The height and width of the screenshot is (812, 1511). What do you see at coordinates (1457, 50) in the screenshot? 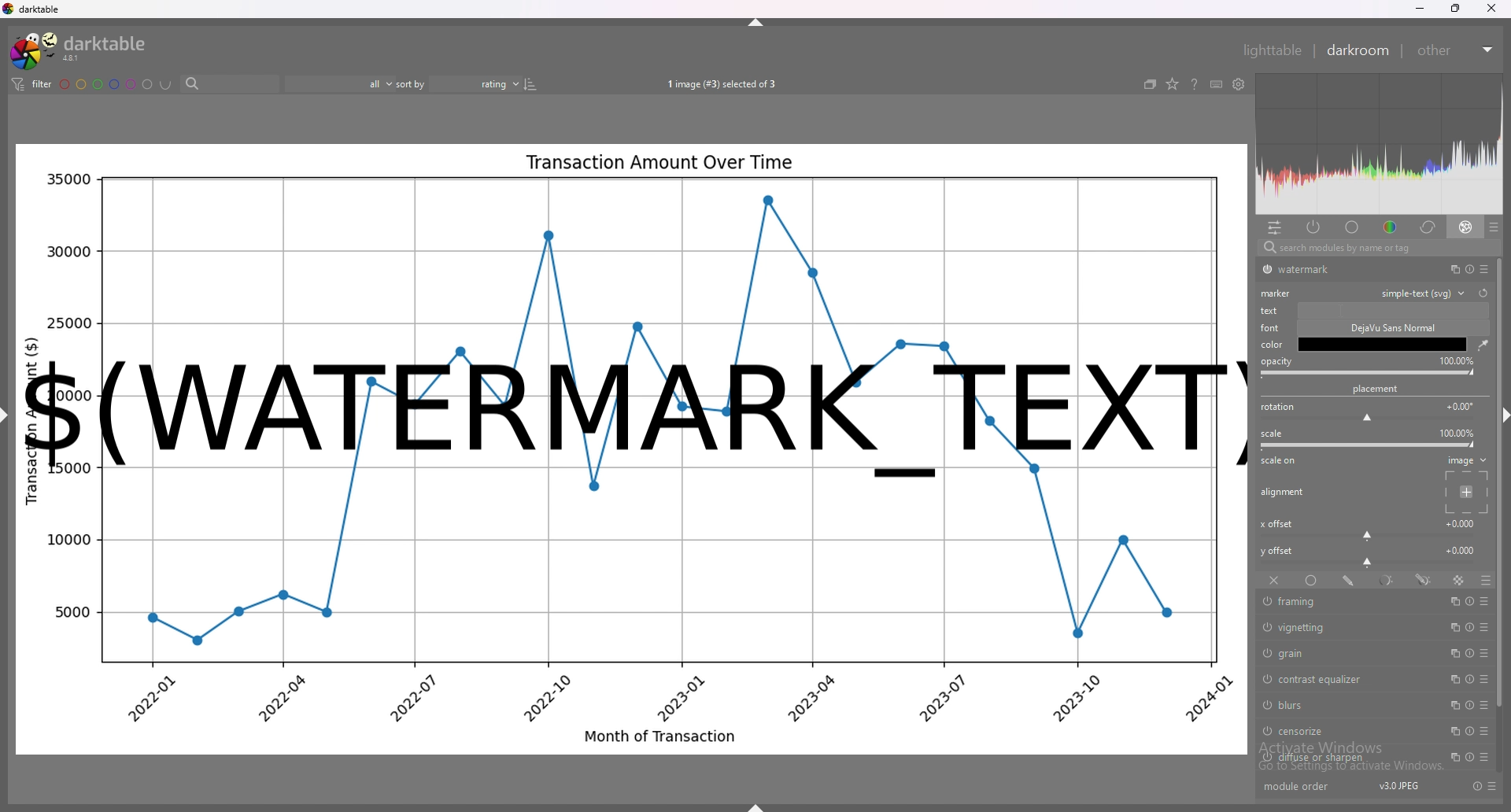
I see `other` at bounding box center [1457, 50].